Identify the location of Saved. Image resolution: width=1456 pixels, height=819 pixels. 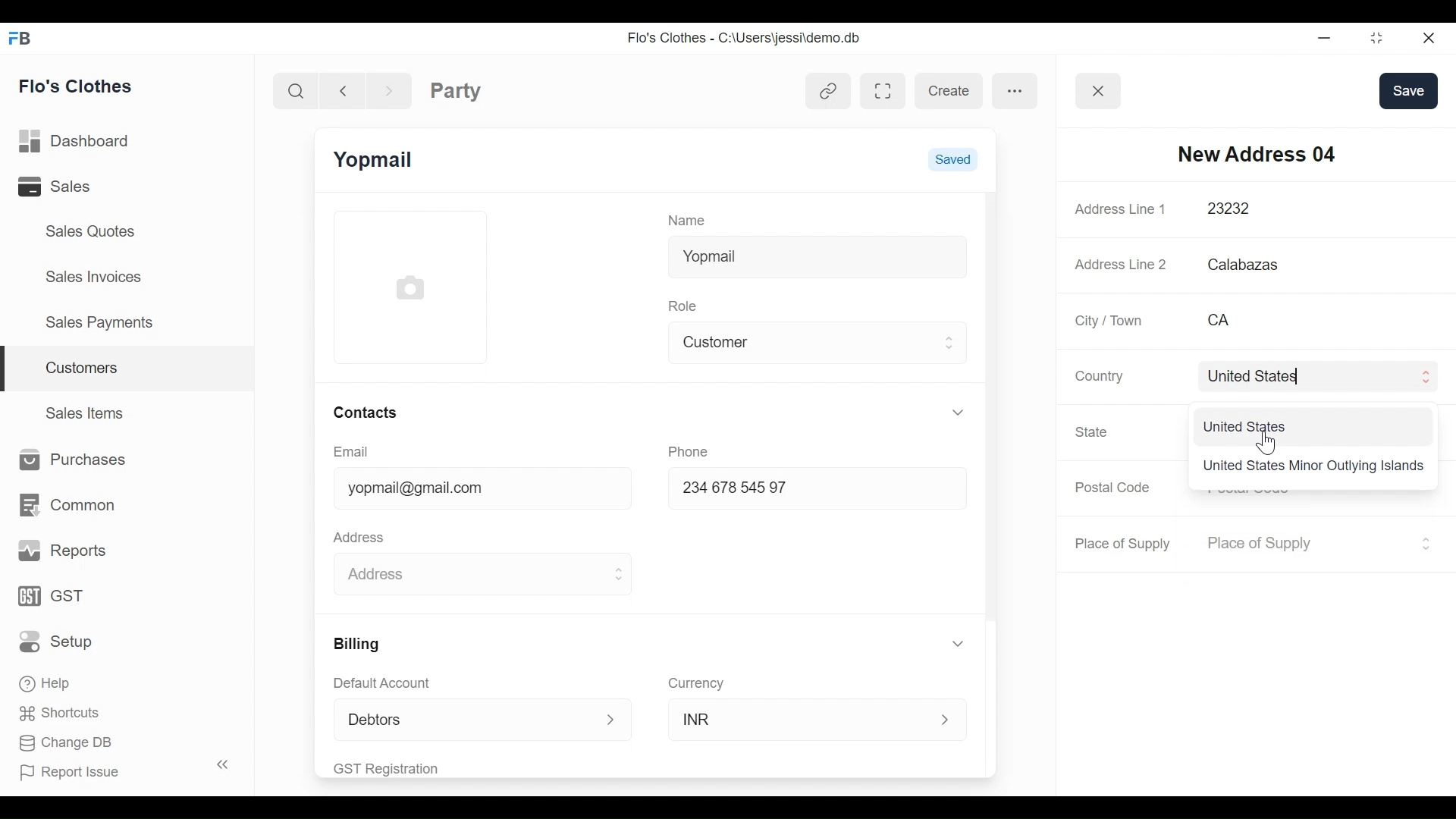
(952, 158).